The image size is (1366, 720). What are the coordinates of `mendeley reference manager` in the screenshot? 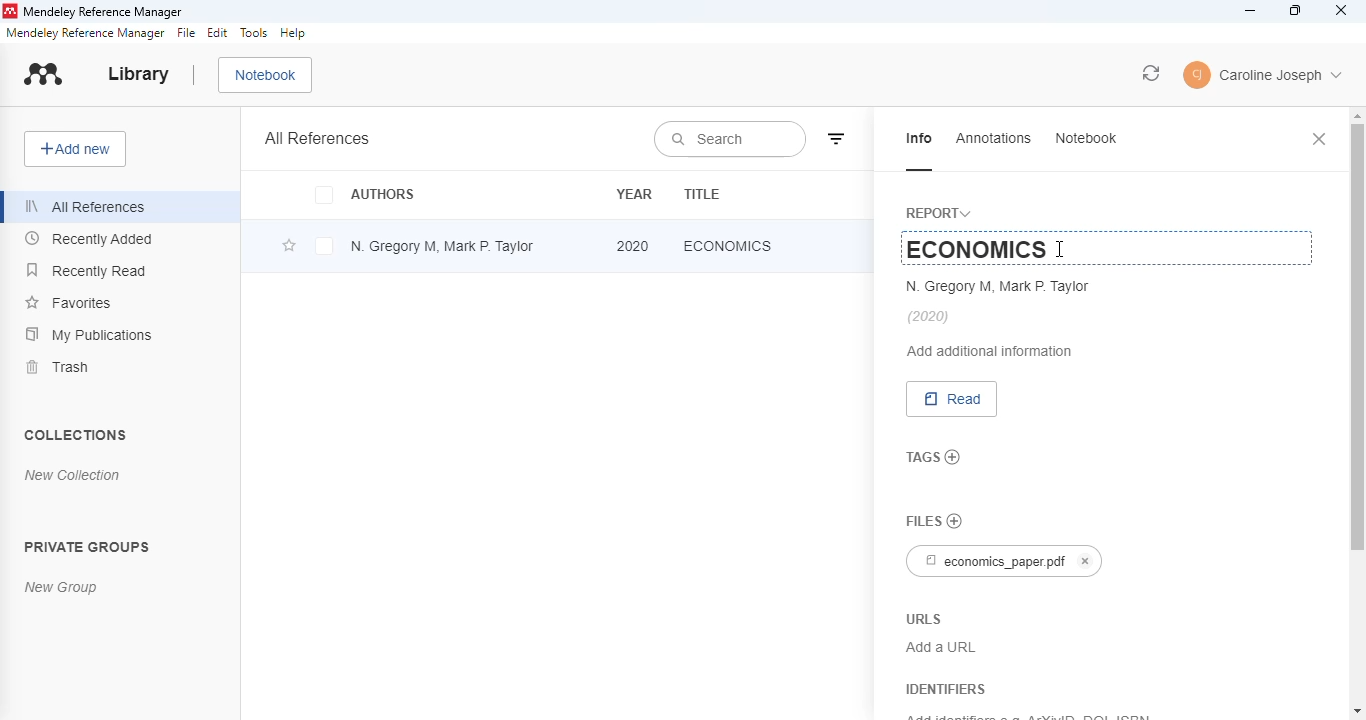 It's located at (84, 33).